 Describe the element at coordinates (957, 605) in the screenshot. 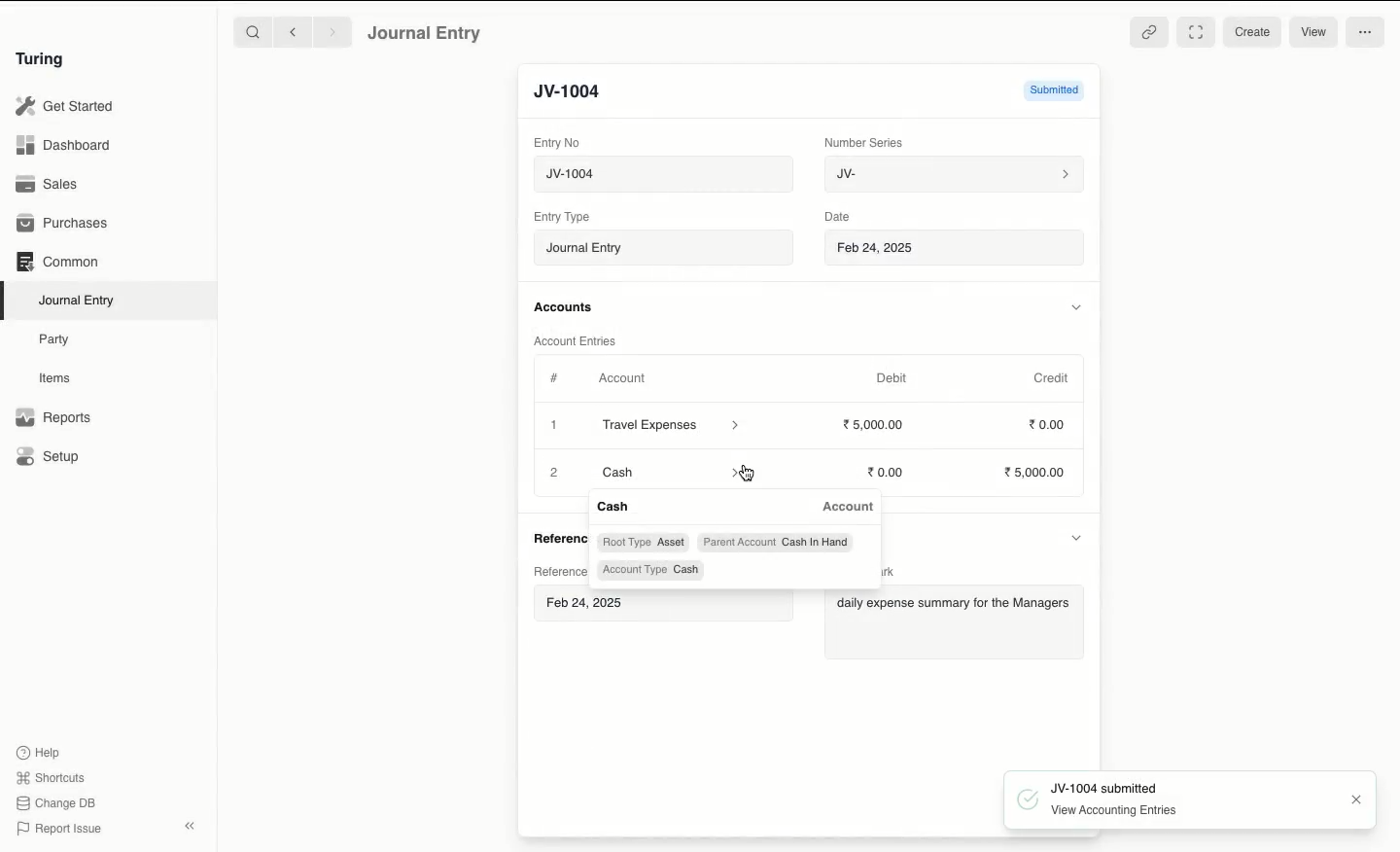

I see `daily expense summary for the Managers` at that location.